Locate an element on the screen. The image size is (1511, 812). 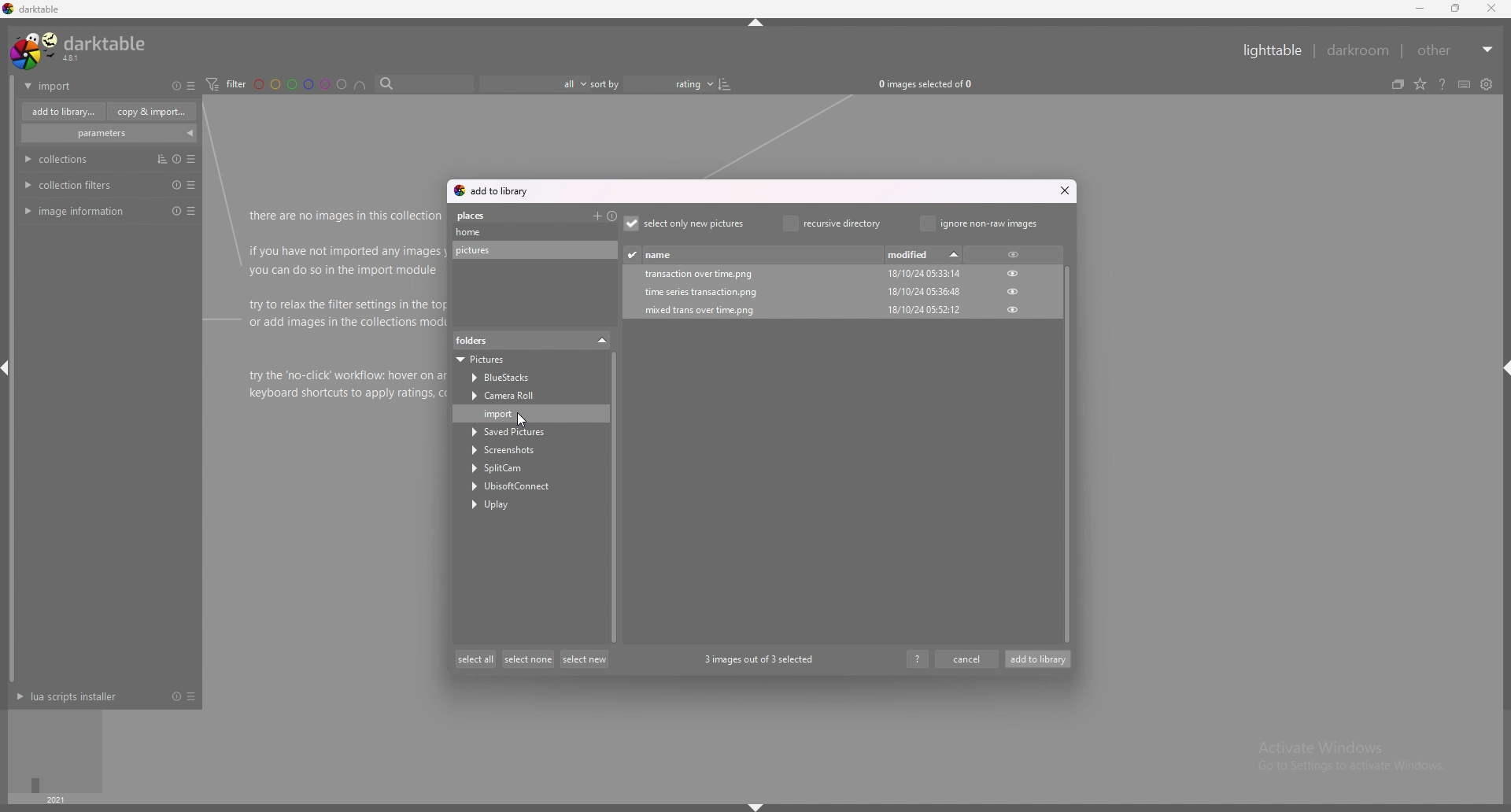
preset is located at coordinates (192, 159).